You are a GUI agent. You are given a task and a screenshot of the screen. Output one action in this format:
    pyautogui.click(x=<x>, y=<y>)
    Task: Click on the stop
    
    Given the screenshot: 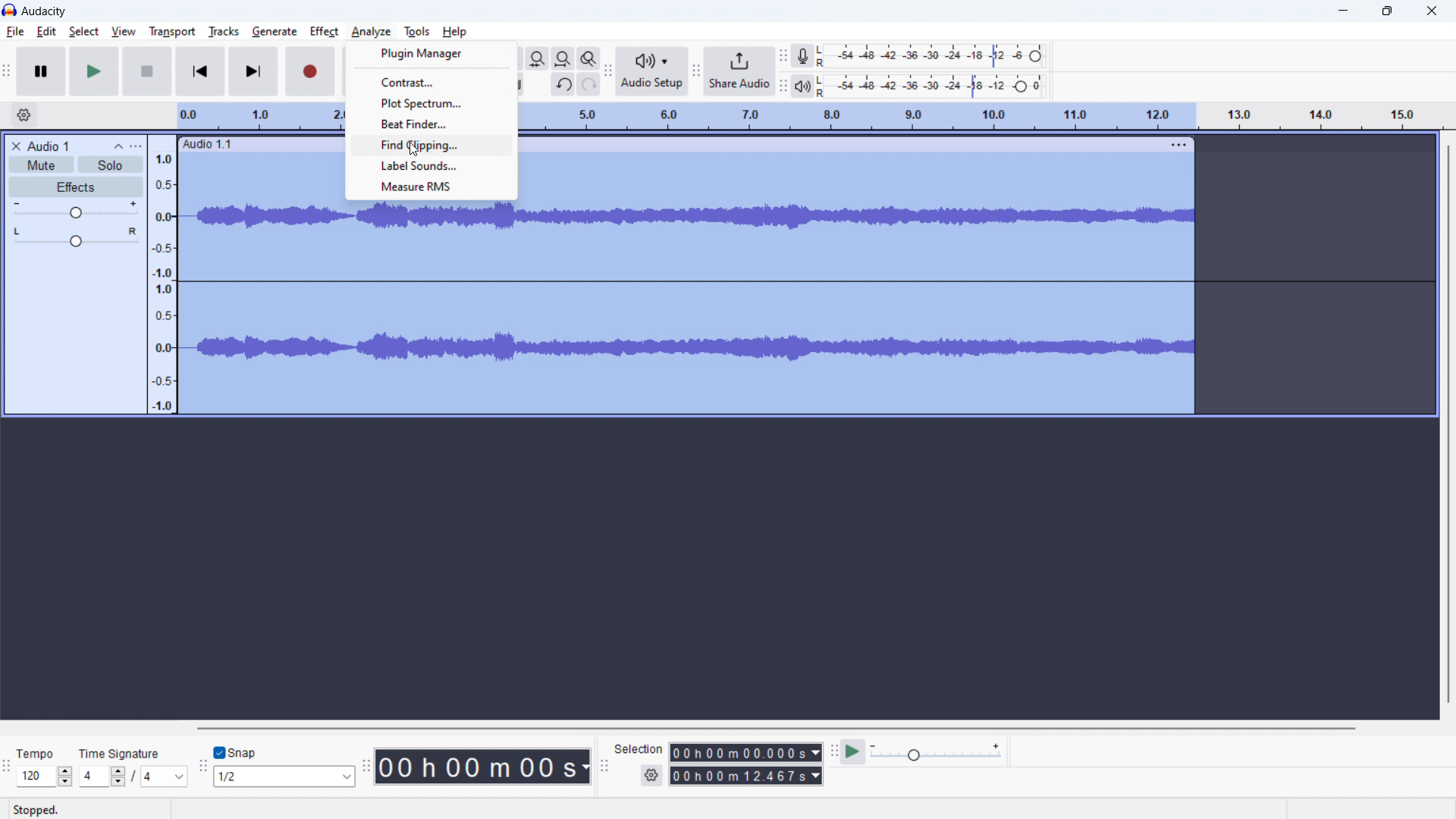 What is the action you would take?
    pyautogui.click(x=147, y=71)
    